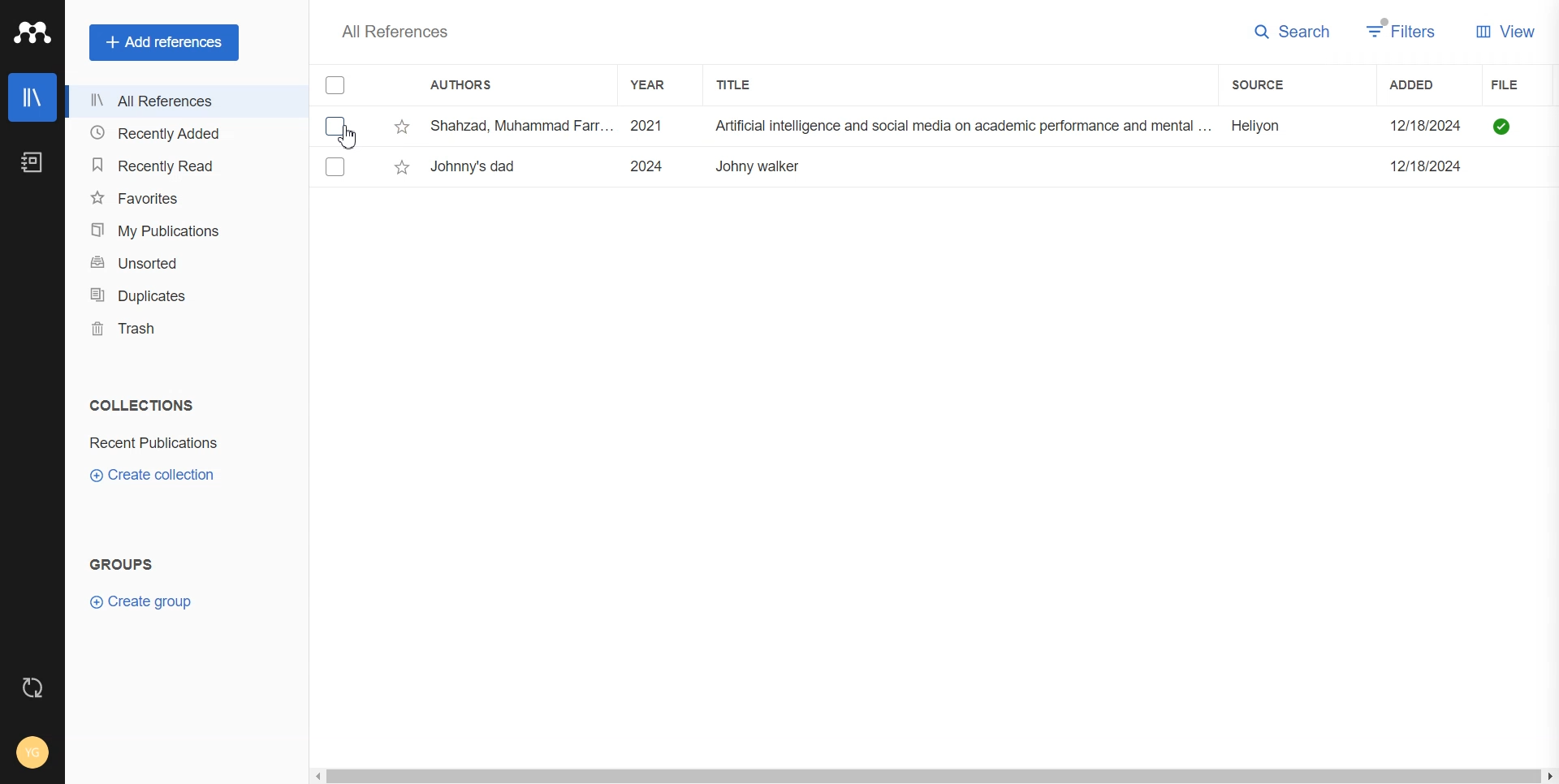  Describe the element at coordinates (181, 101) in the screenshot. I see `All References` at that location.